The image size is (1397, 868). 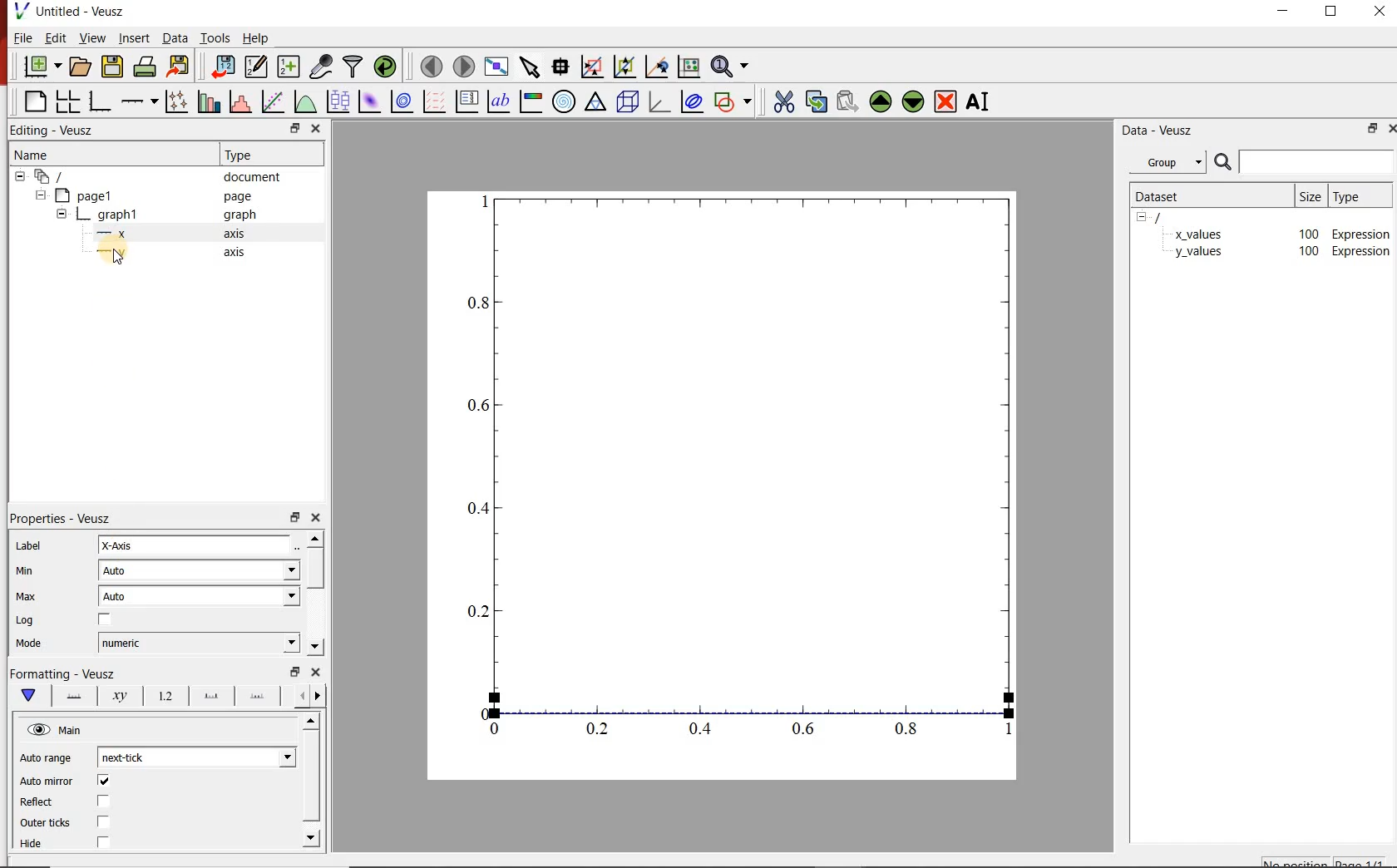 I want to click on Hide, so click(x=32, y=844).